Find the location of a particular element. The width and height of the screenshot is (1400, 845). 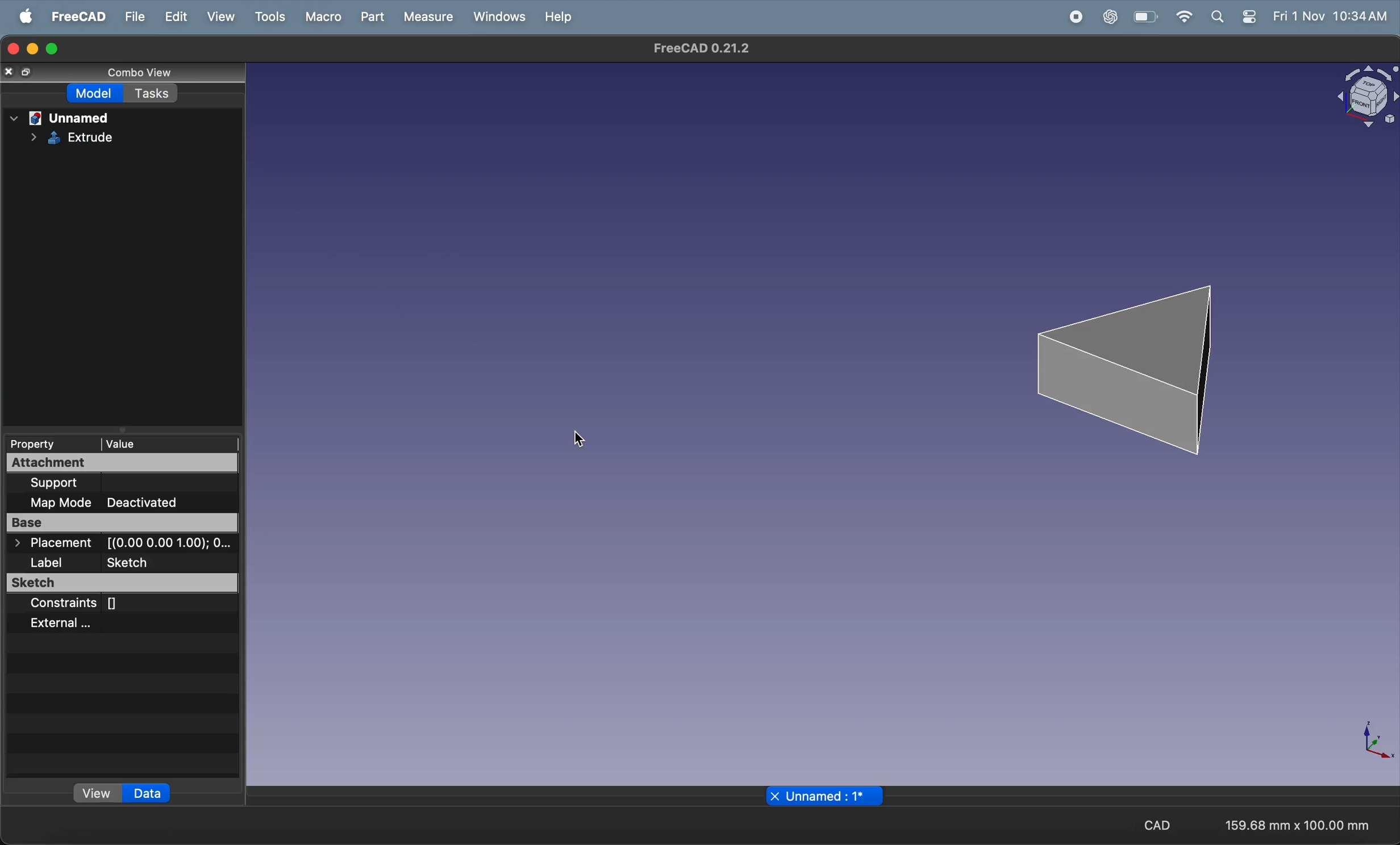

apple menu is located at coordinates (27, 16).